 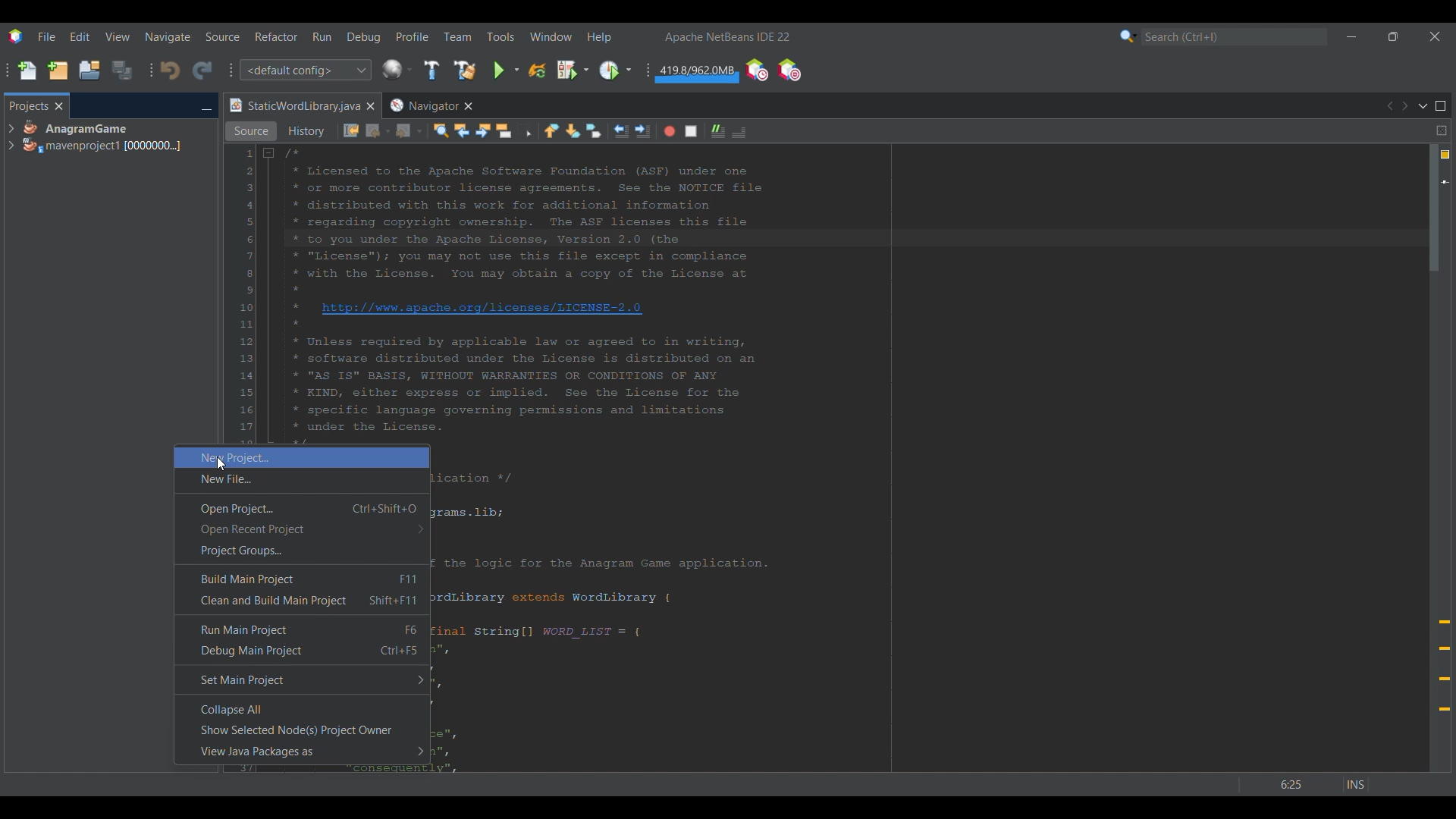 I want to click on Show selected node(s) project owner, so click(x=303, y=730).